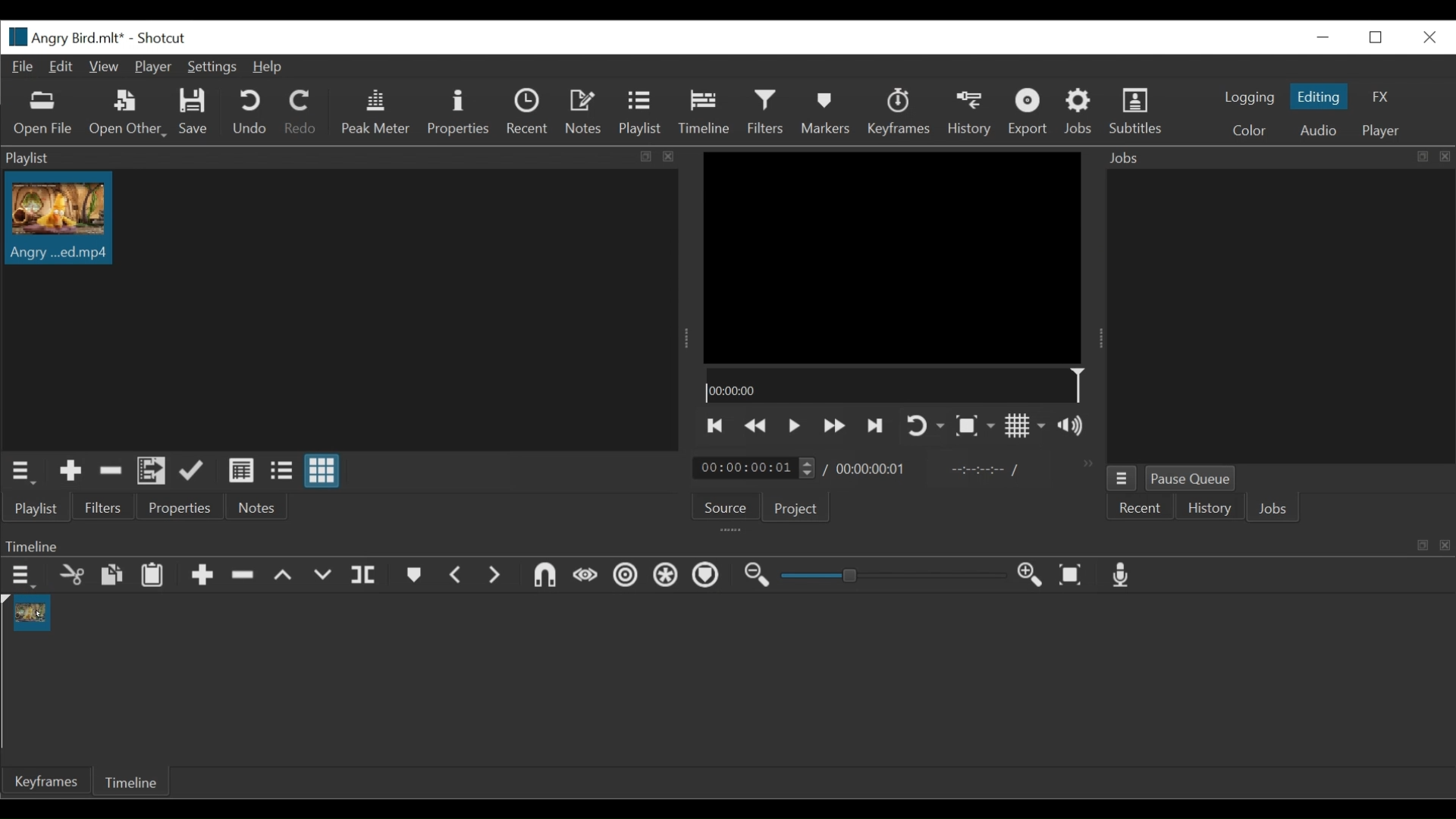 The height and width of the screenshot is (819, 1456). I want to click on Toggle Zoom, so click(973, 426).